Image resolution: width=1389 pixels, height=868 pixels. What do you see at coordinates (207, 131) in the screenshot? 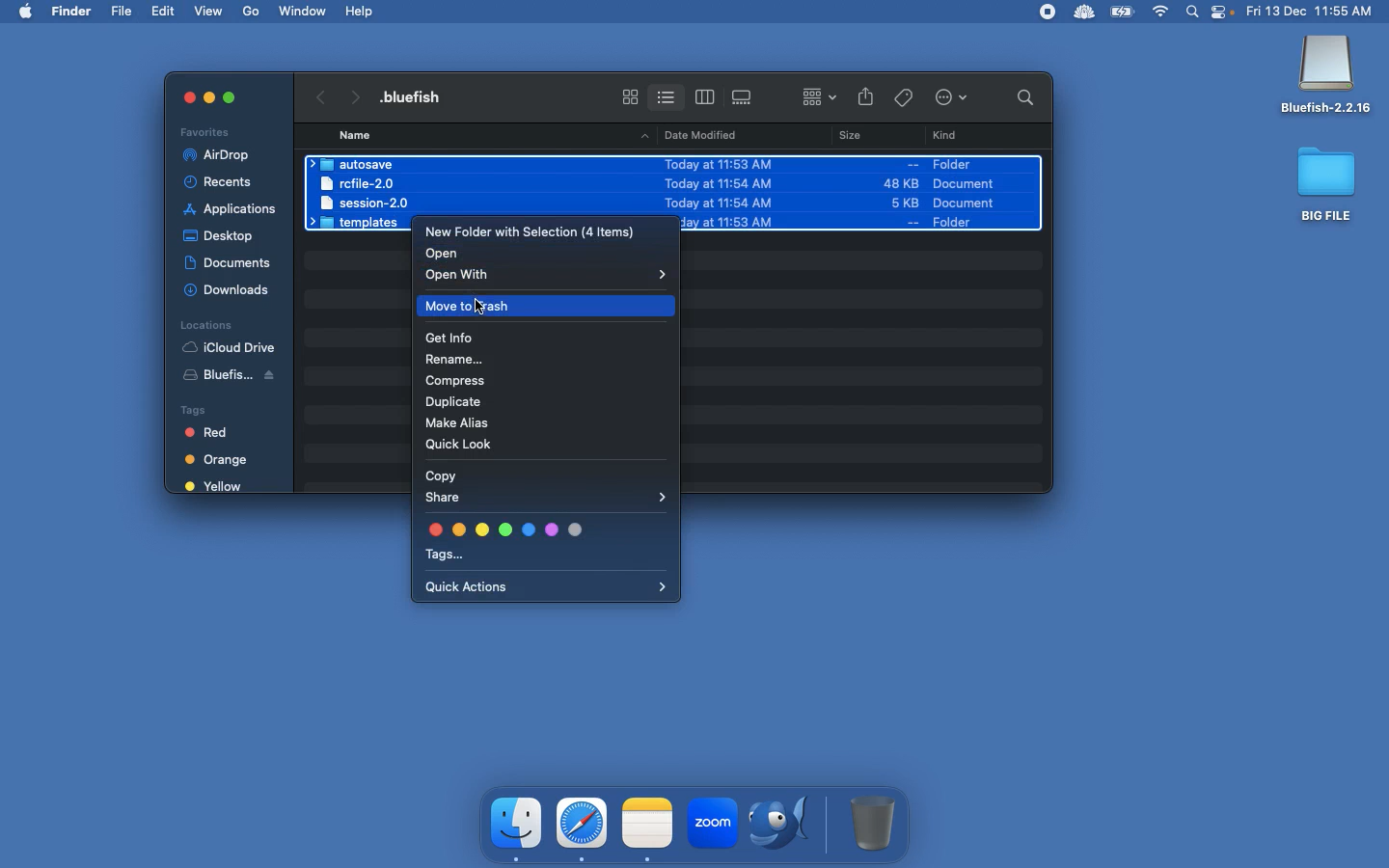
I see `Favorites` at bounding box center [207, 131].